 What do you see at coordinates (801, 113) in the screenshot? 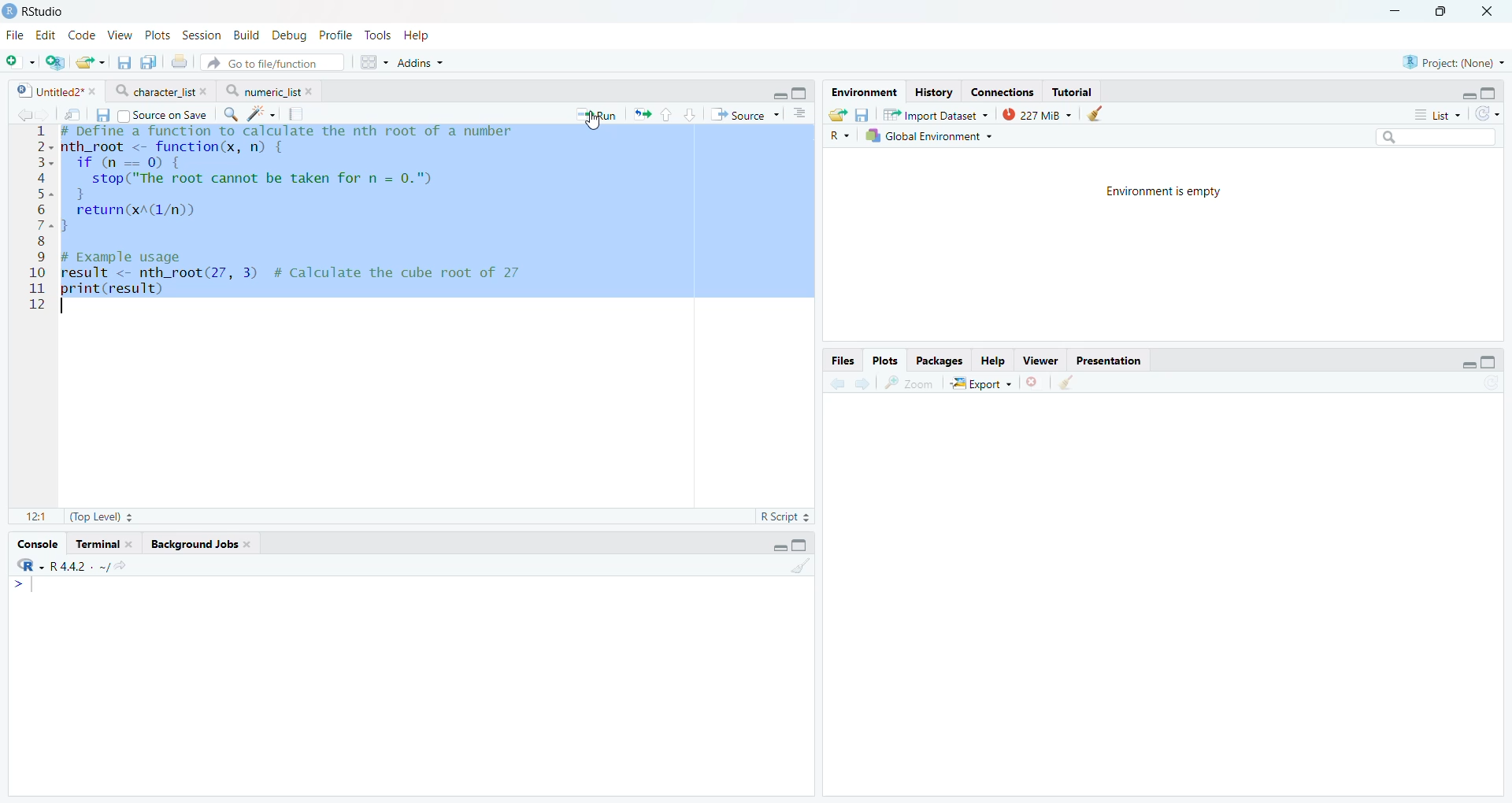
I see `Show document outline` at bounding box center [801, 113].